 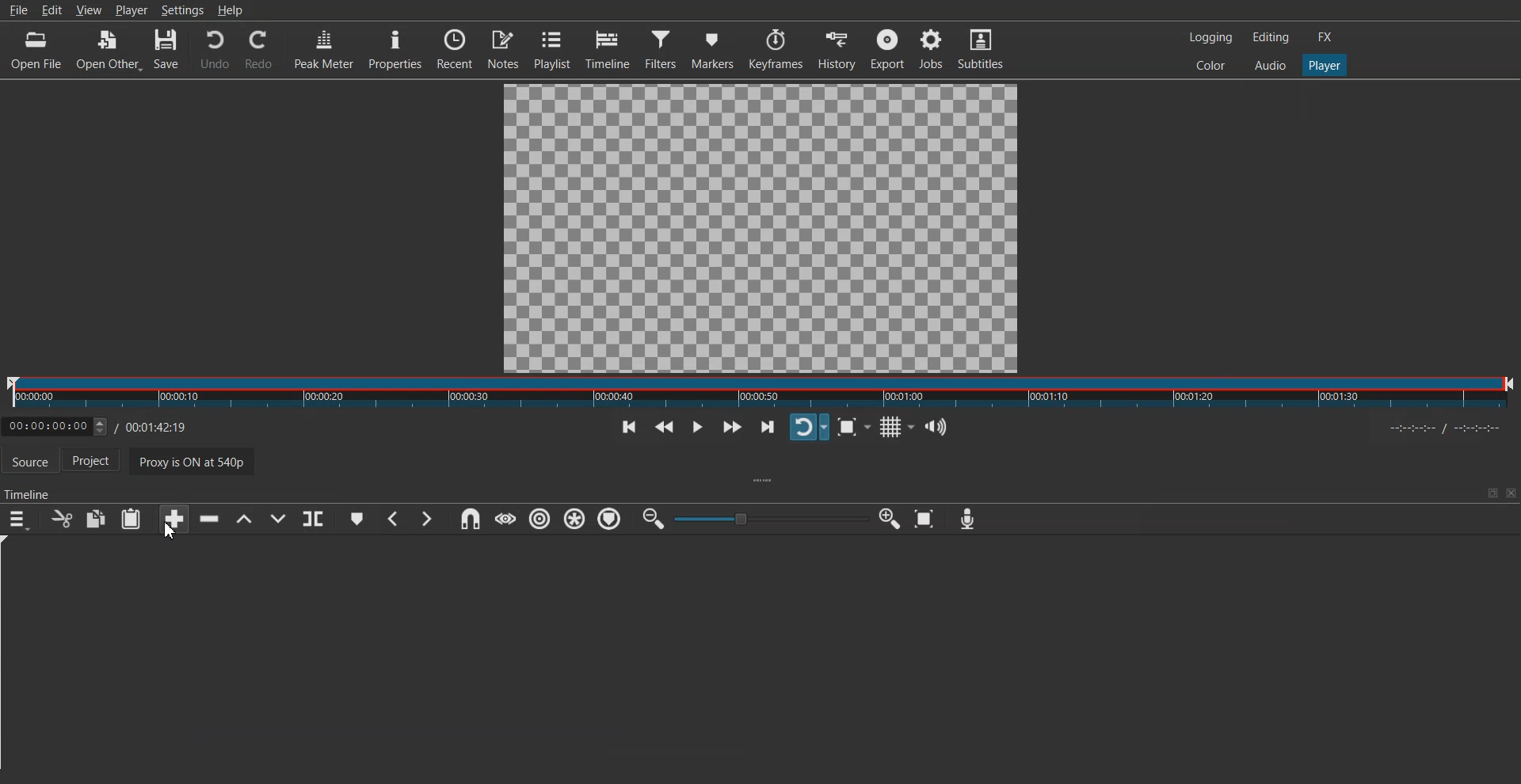 What do you see at coordinates (455, 48) in the screenshot?
I see `Recent` at bounding box center [455, 48].